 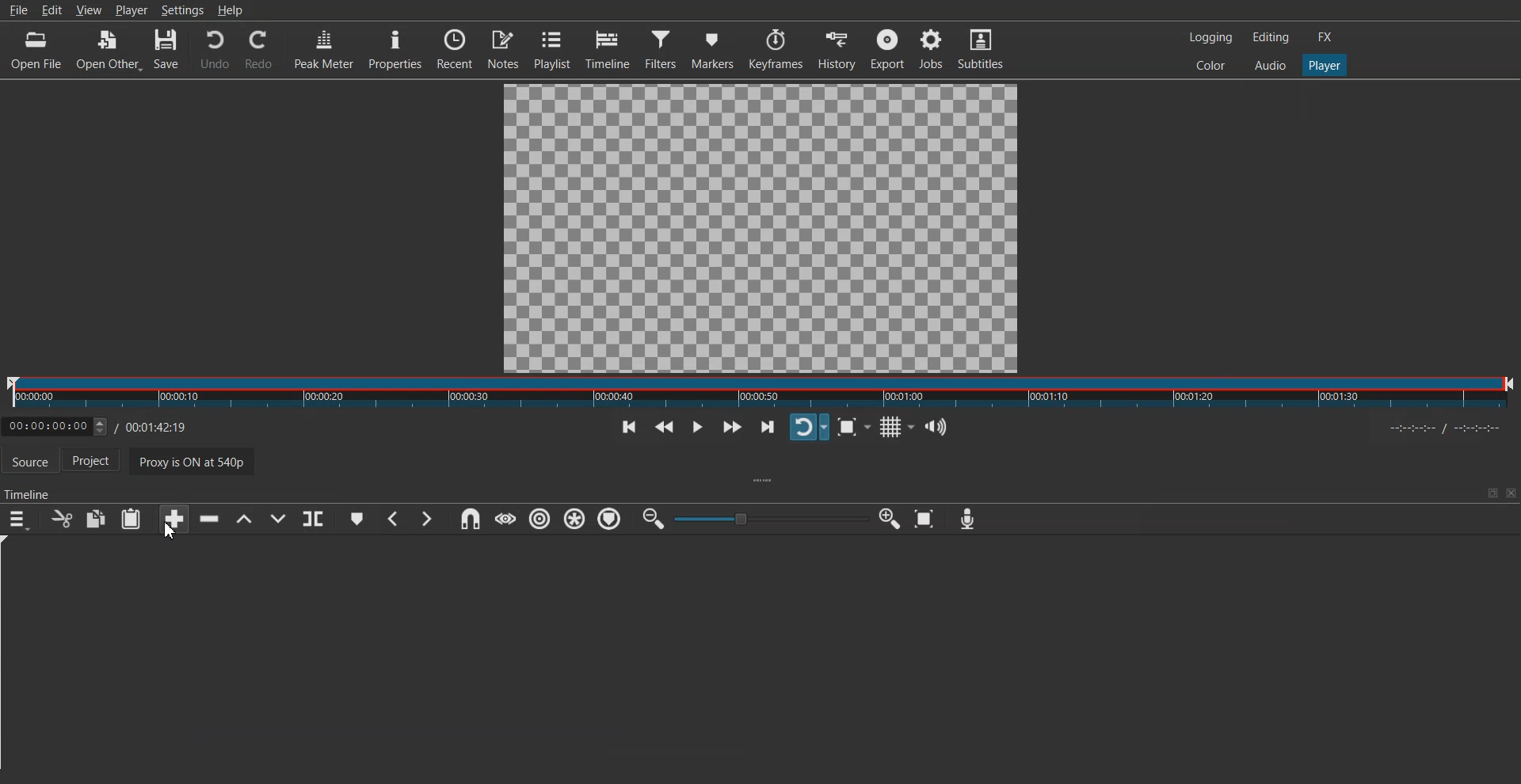 What do you see at coordinates (277, 519) in the screenshot?
I see `Overwrite` at bounding box center [277, 519].